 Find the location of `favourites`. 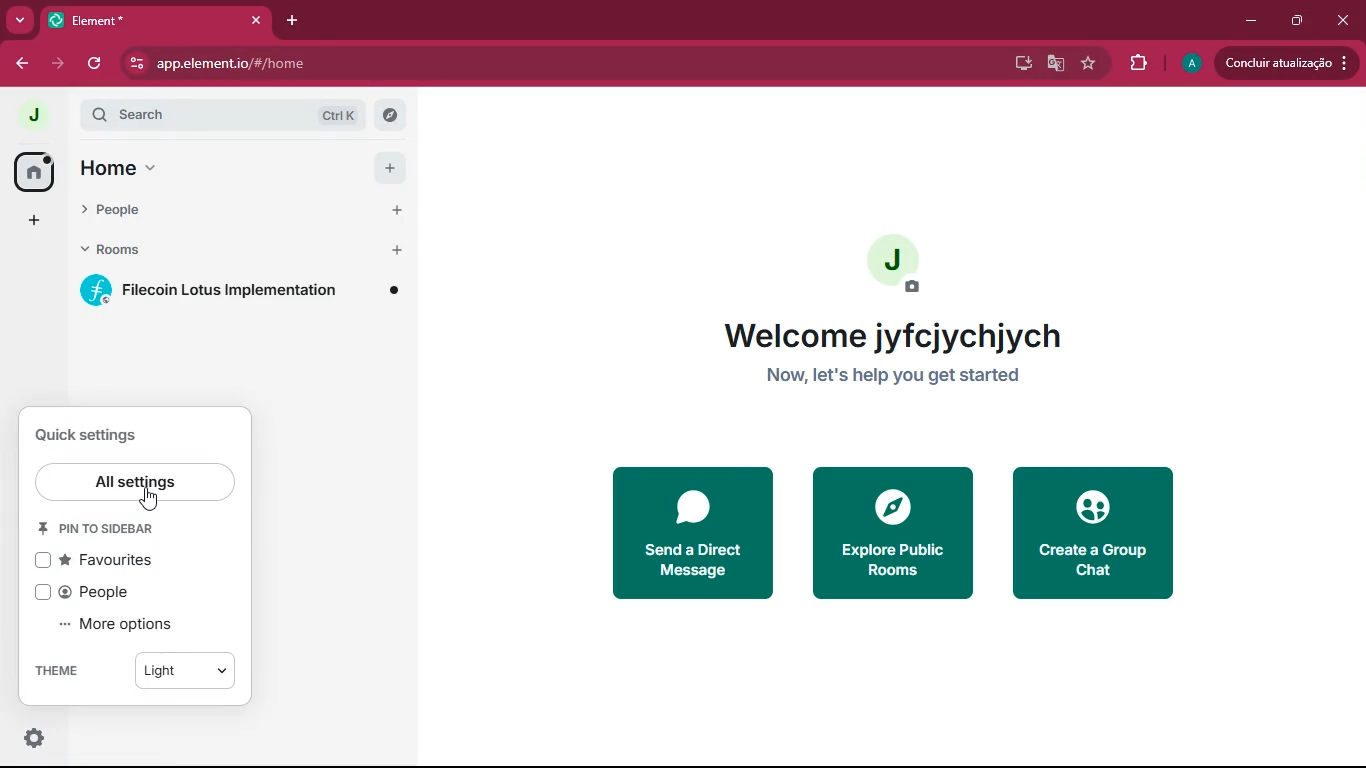

favourites is located at coordinates (107, 561).